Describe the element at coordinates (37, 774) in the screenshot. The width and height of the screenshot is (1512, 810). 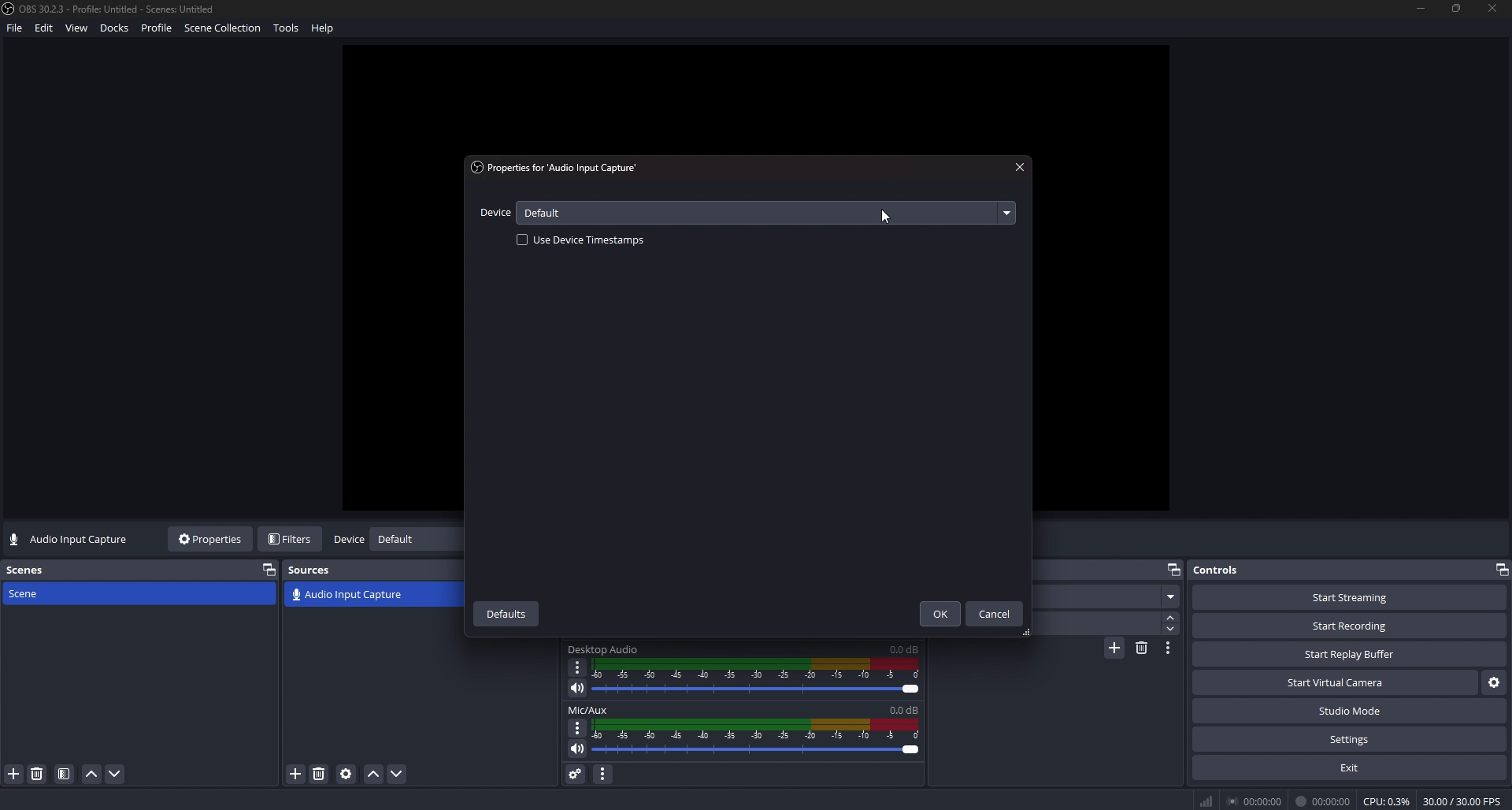
I see `remove scene` at that location.